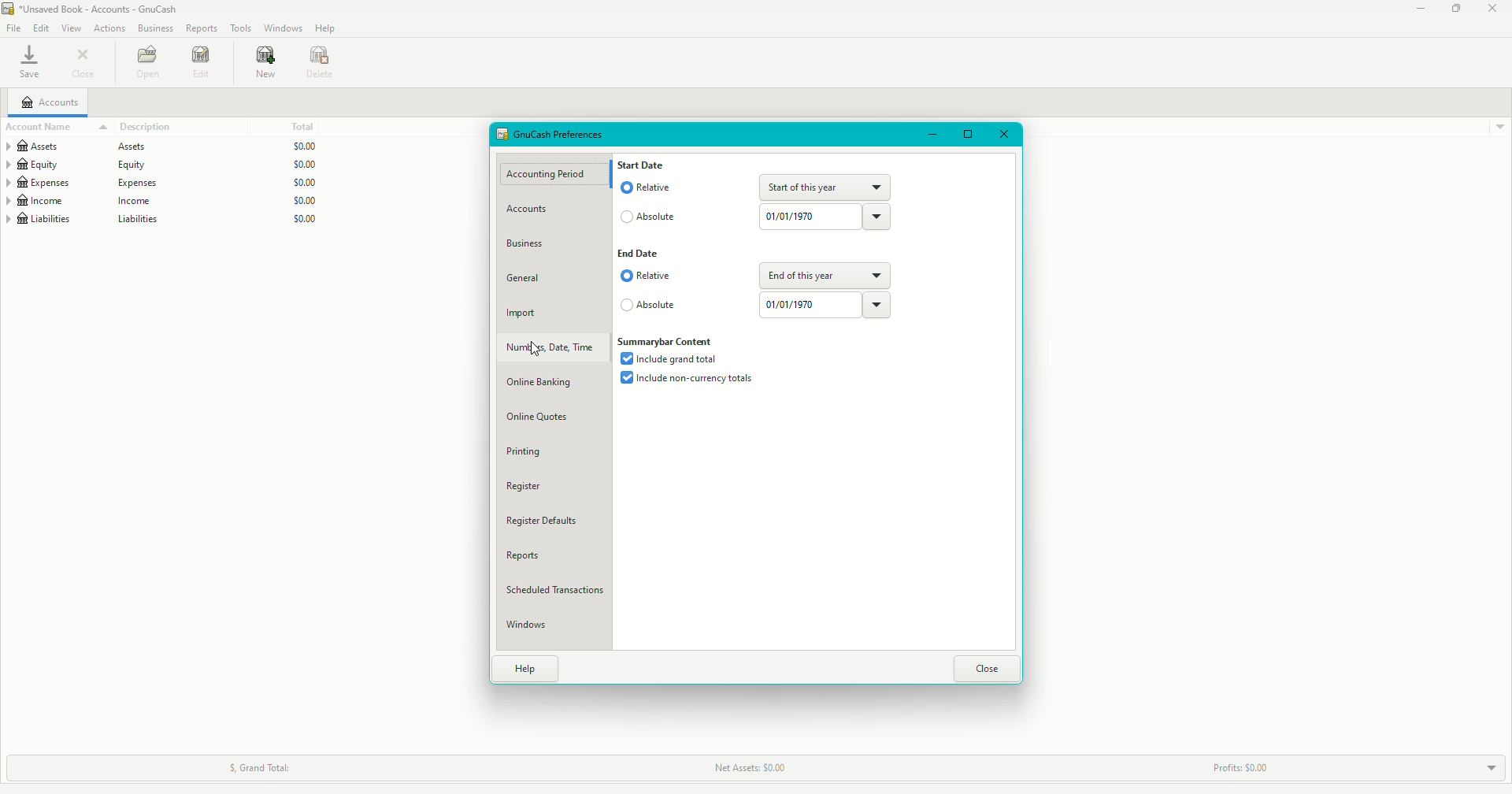 Image resolution: width=1512 pixels, height=794 pixels. I want to click on Accounts, so click(51, 103).